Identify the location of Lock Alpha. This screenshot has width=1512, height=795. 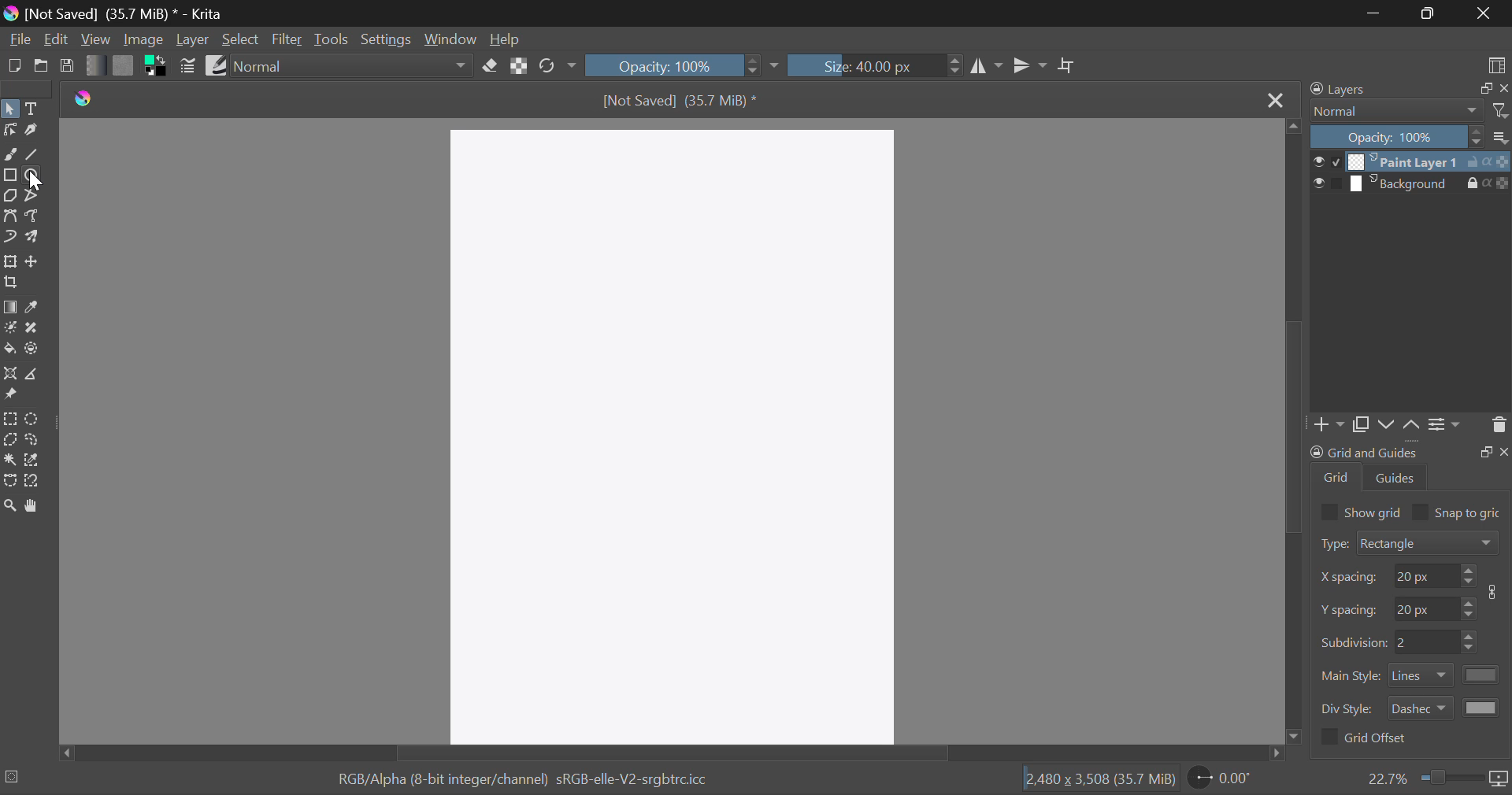
(520, 68).